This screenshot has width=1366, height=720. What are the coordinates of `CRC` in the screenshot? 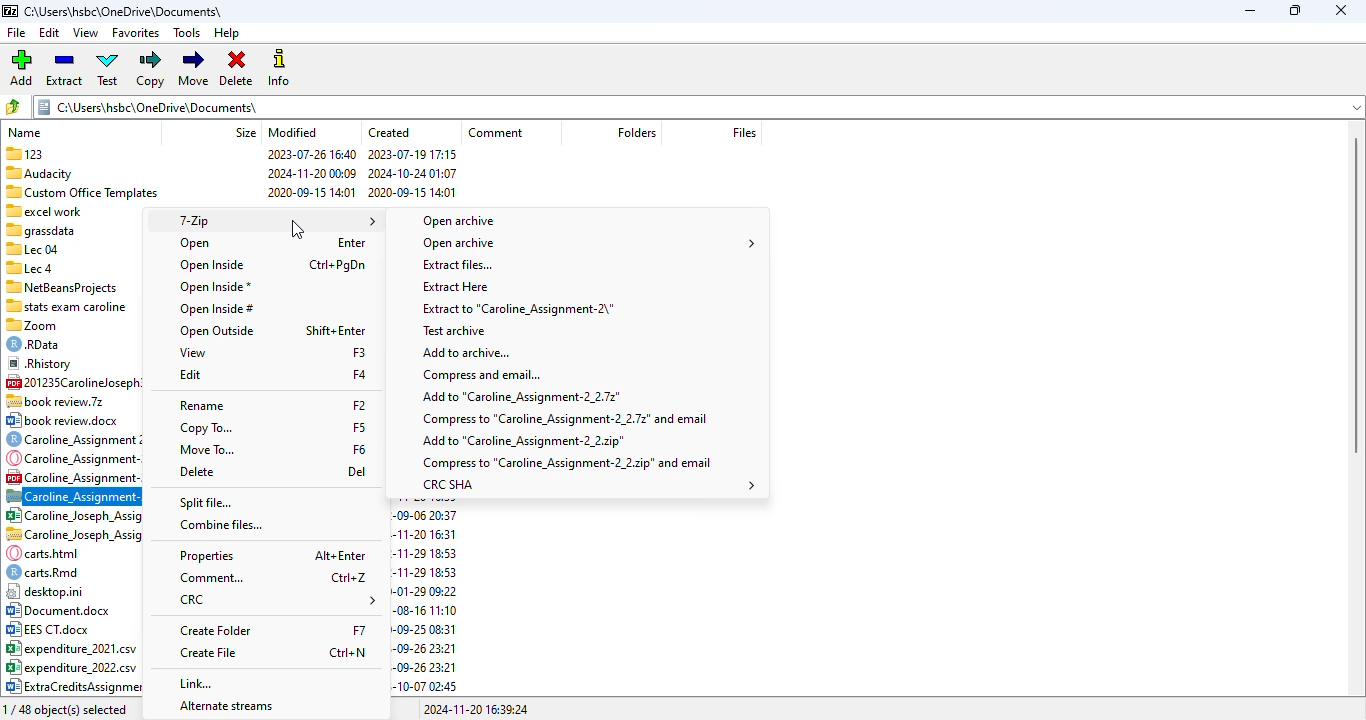 It's located at (279, 600).